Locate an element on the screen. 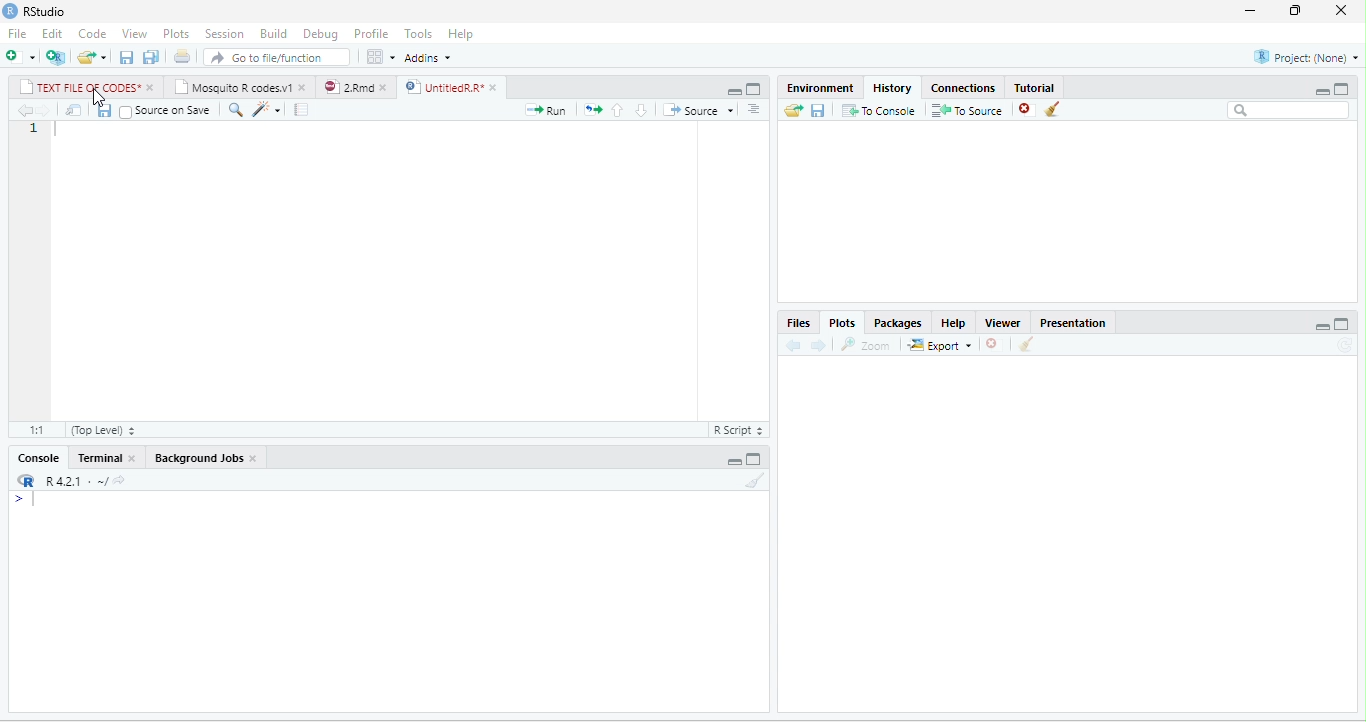 Image resolution: width=1366 pixels, height=722 pixels. resize is located at coordinates (1295, 11).